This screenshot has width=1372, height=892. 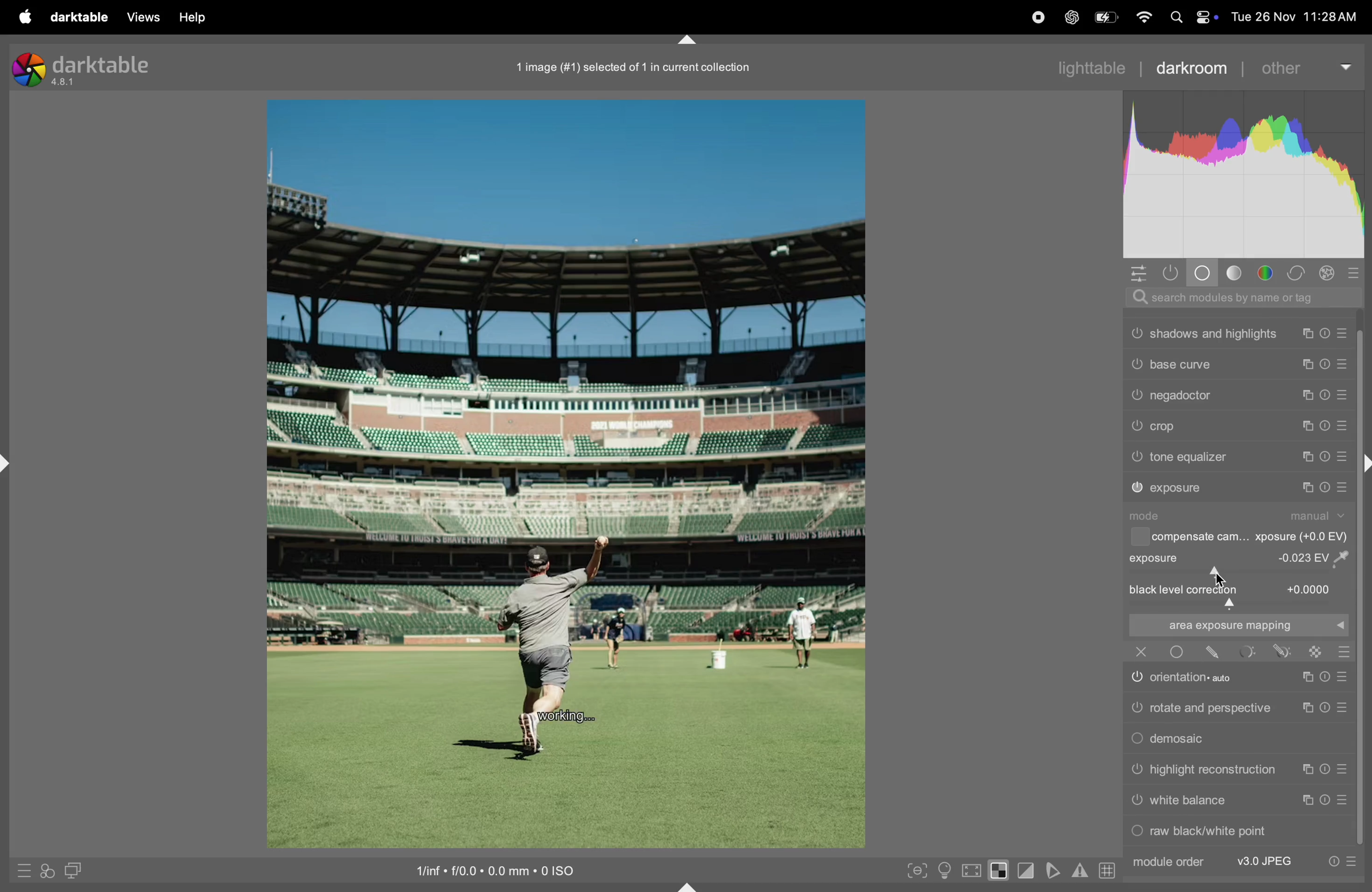 What do you see at coordinates (1136, 679) in the screenshot?
I see `Switch on or off` at bounding box center [1136, 679].